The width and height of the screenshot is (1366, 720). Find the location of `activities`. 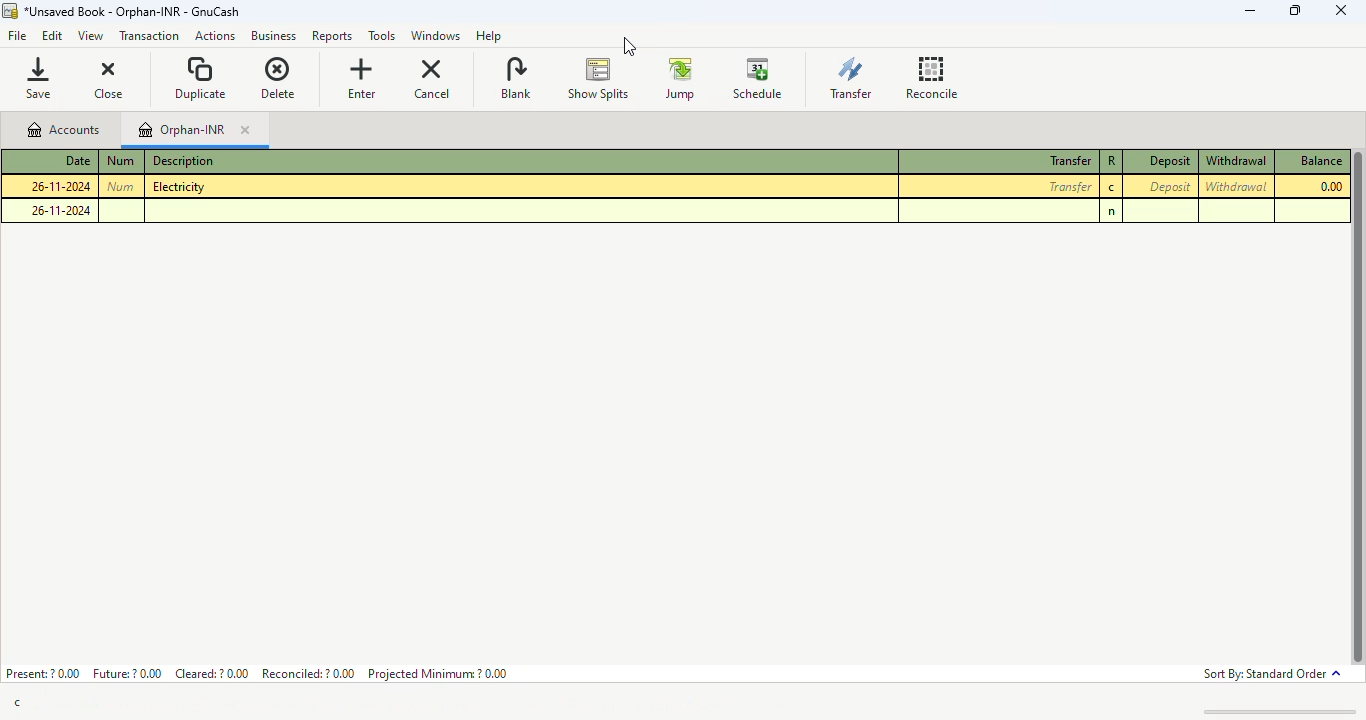

activities is located at coordinates (215, 37).